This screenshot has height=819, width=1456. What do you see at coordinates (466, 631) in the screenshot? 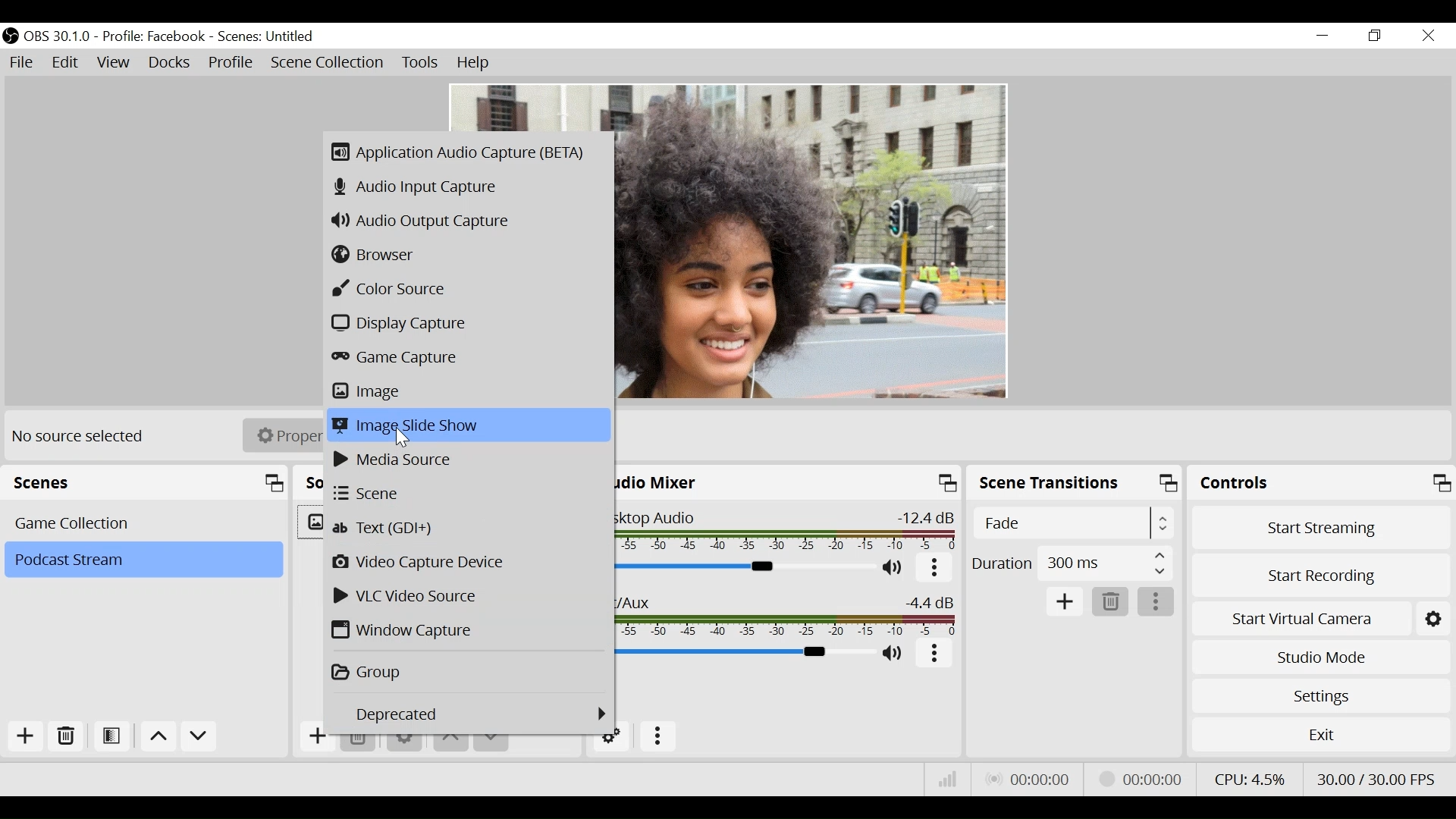
I see `Window Capture` at bounding box center [466, 631].